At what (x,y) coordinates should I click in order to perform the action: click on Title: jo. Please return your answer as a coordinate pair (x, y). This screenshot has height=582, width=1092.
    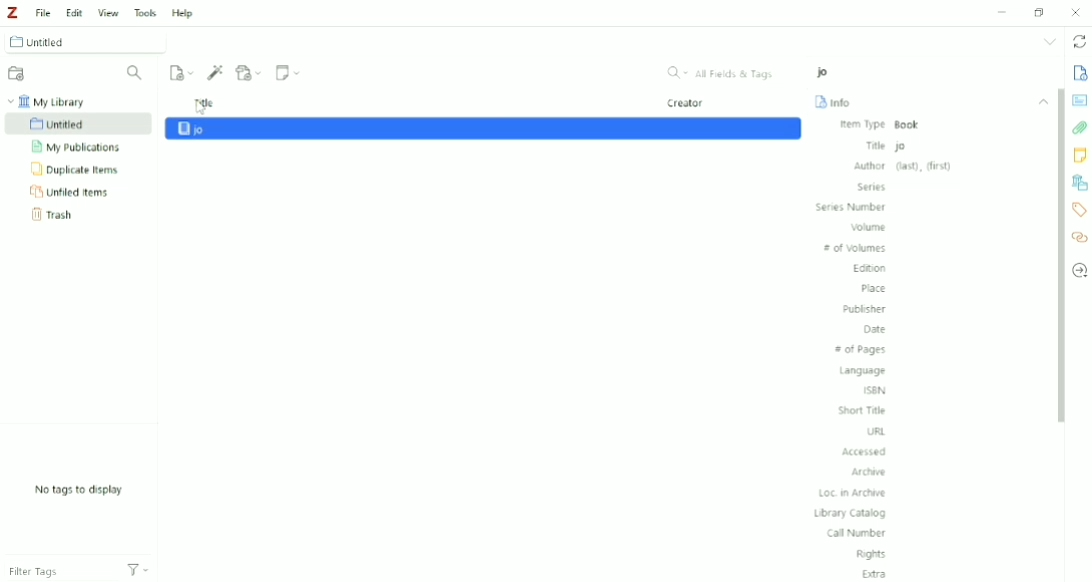
    Looking at the image, I should click on (950, 145).